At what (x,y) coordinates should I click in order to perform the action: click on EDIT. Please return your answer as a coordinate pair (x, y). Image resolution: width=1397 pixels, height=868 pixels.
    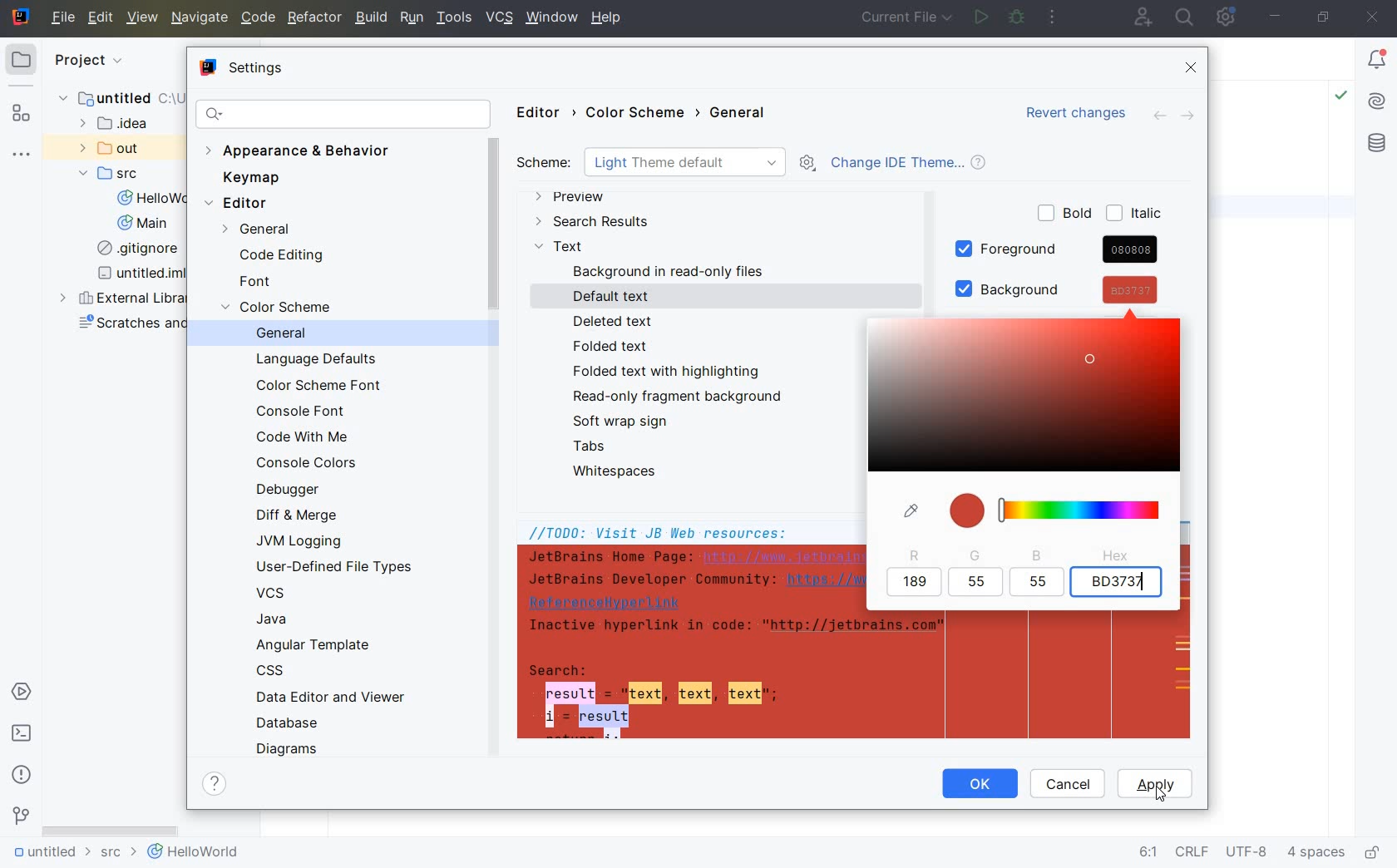
    Looking at the image, I should click on (103, 19).